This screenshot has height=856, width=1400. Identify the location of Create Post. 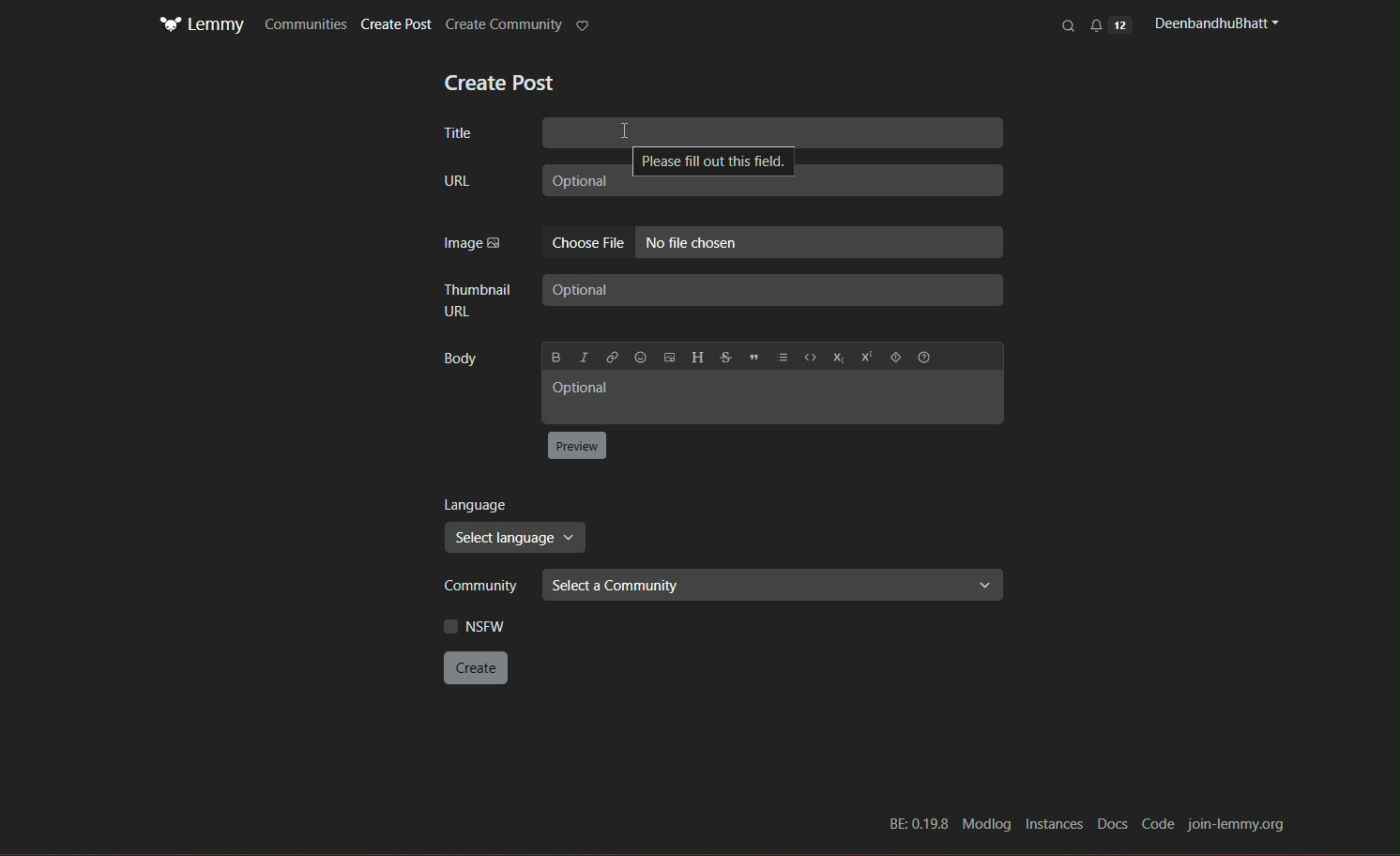
(399, 25).